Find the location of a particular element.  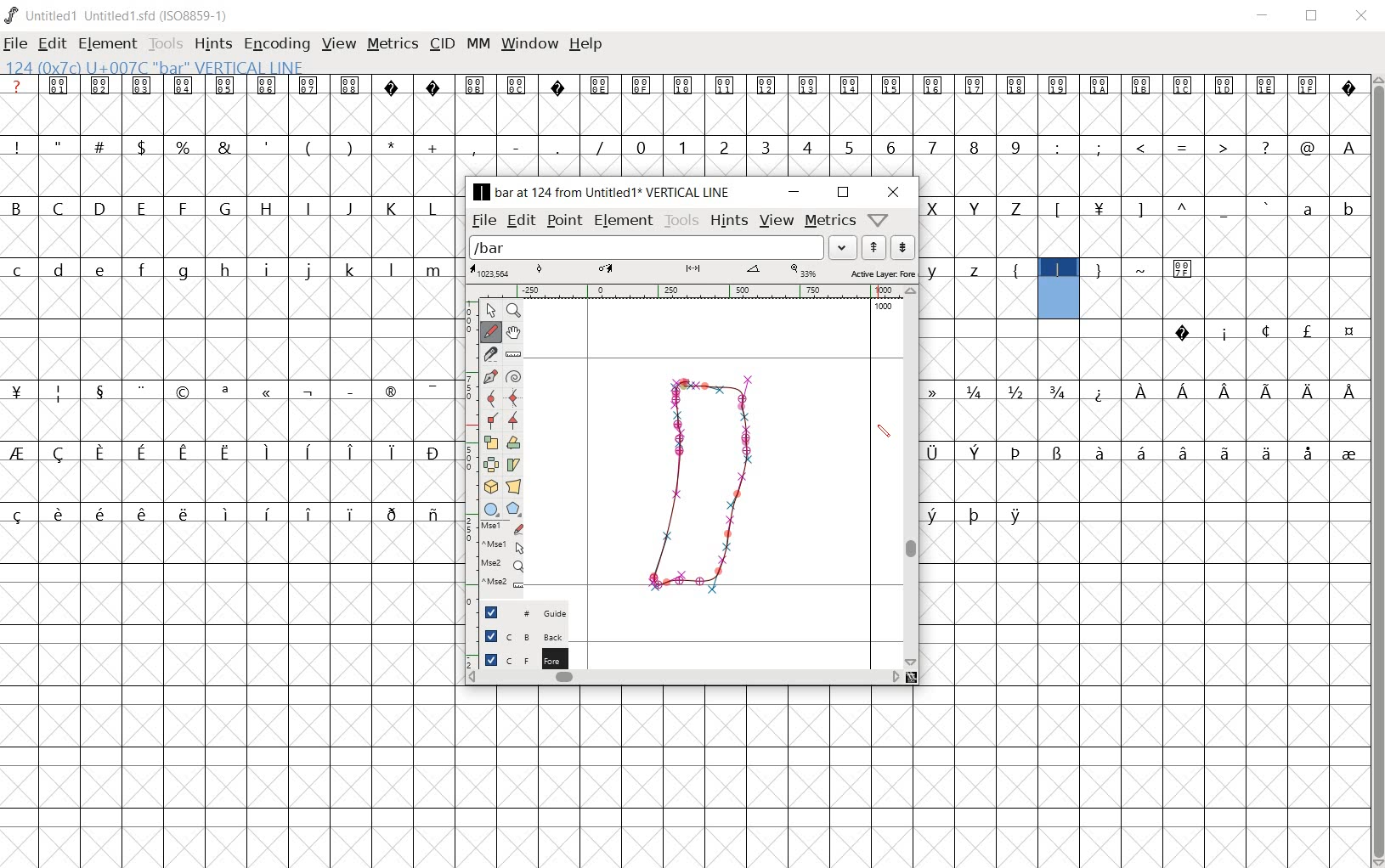

numbers and special letters is located at coordinates (1143, 391).